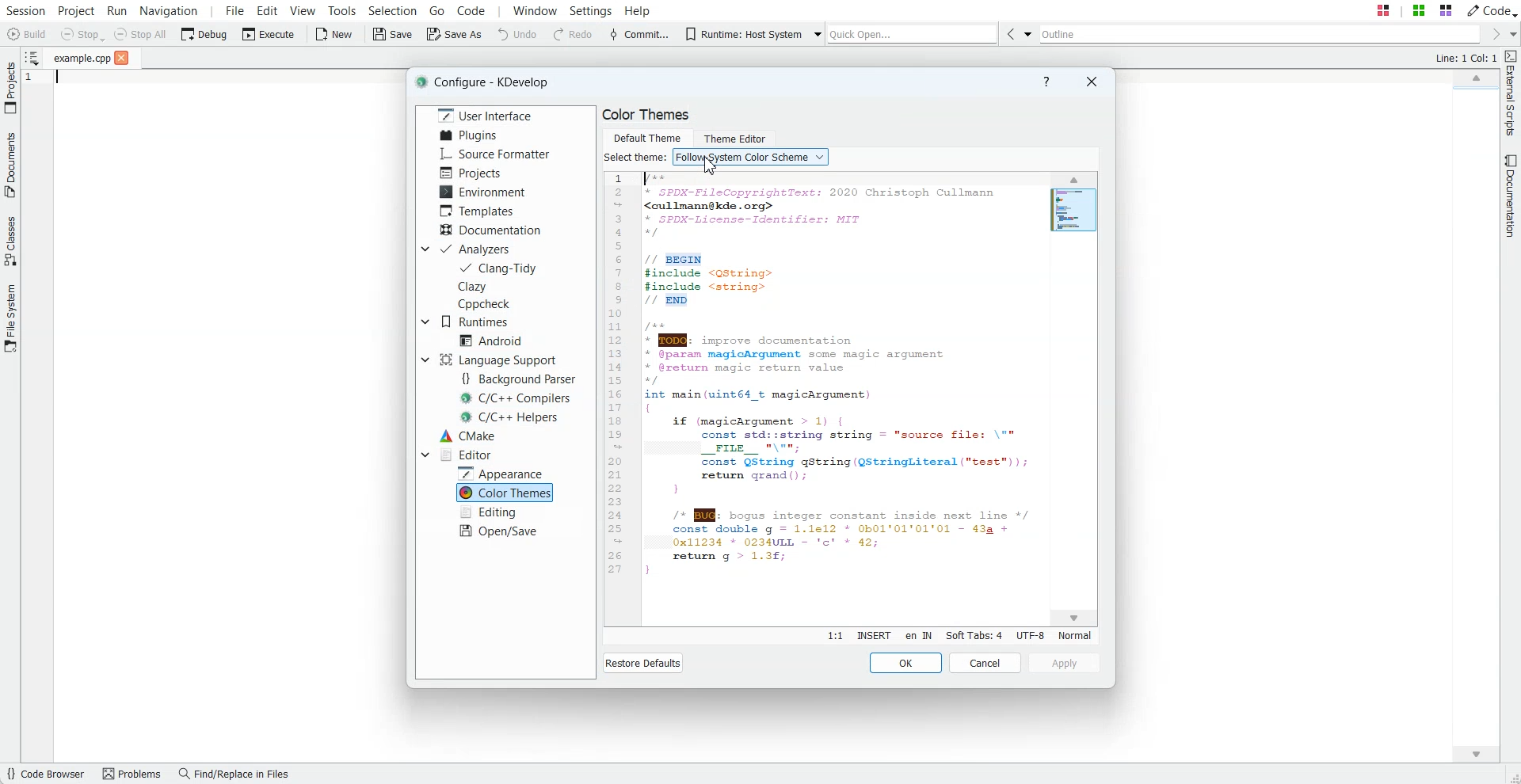 This screenshot has width=1521, height=784. Describe the element at coordinates (834, 636) in the screenshot. I see `Line:Column` at that location.